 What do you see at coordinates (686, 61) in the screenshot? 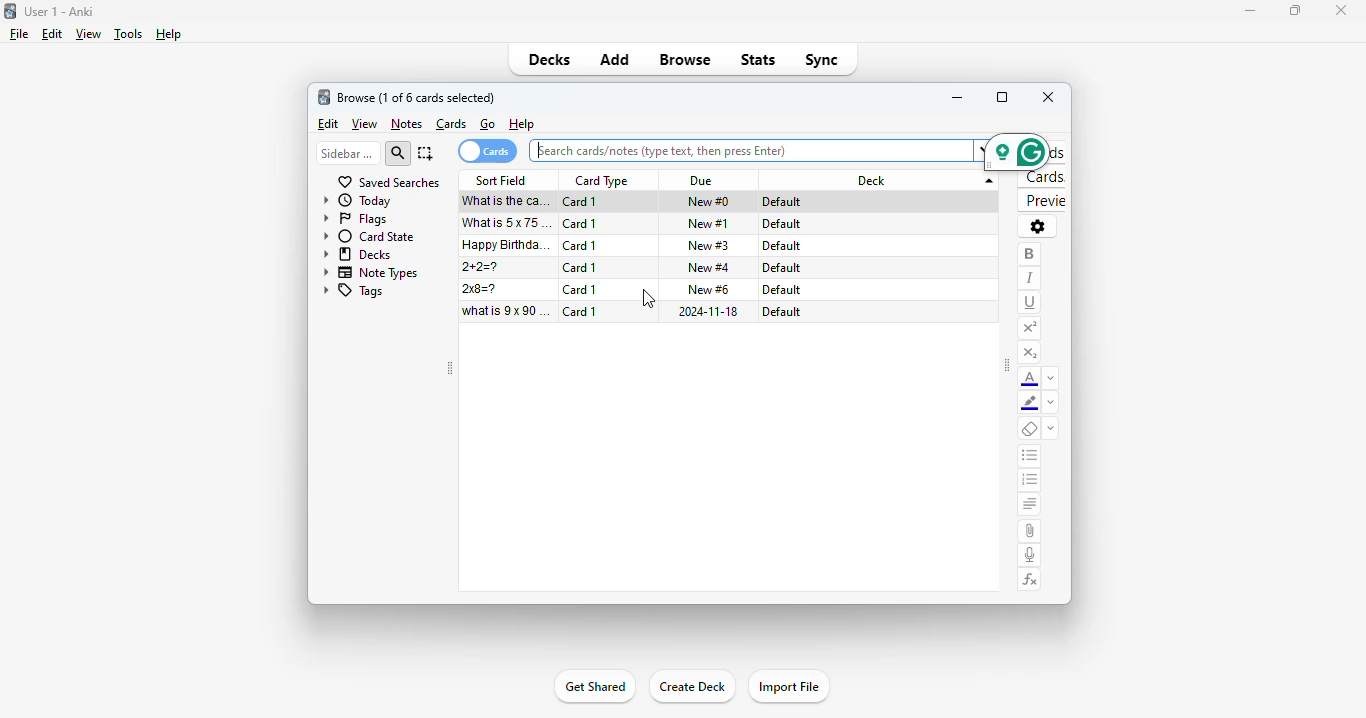
I see `browse` at bounding box center [686, 61].